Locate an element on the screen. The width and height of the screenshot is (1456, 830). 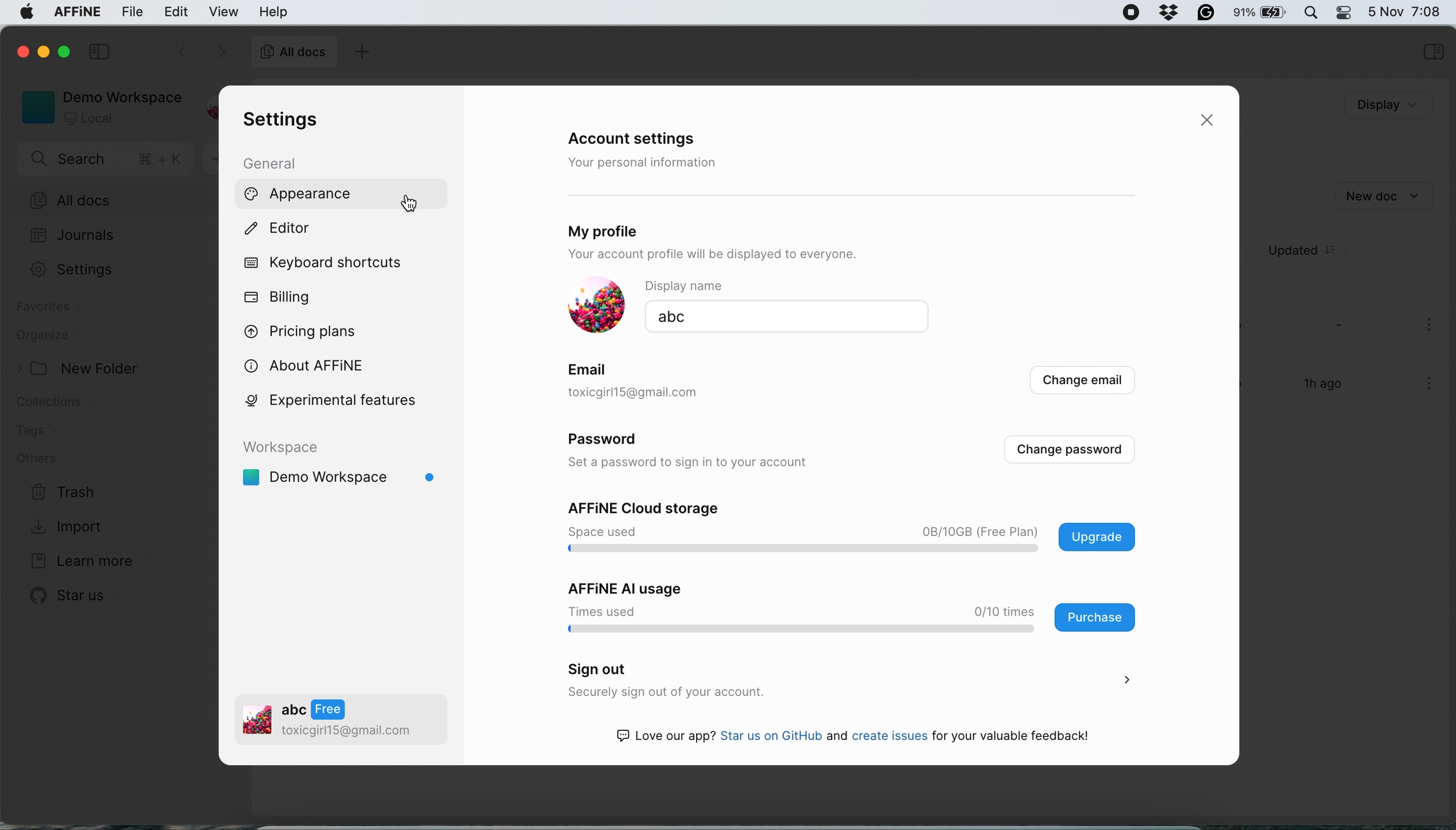
sidebar is located at coordinates (1431, 50).